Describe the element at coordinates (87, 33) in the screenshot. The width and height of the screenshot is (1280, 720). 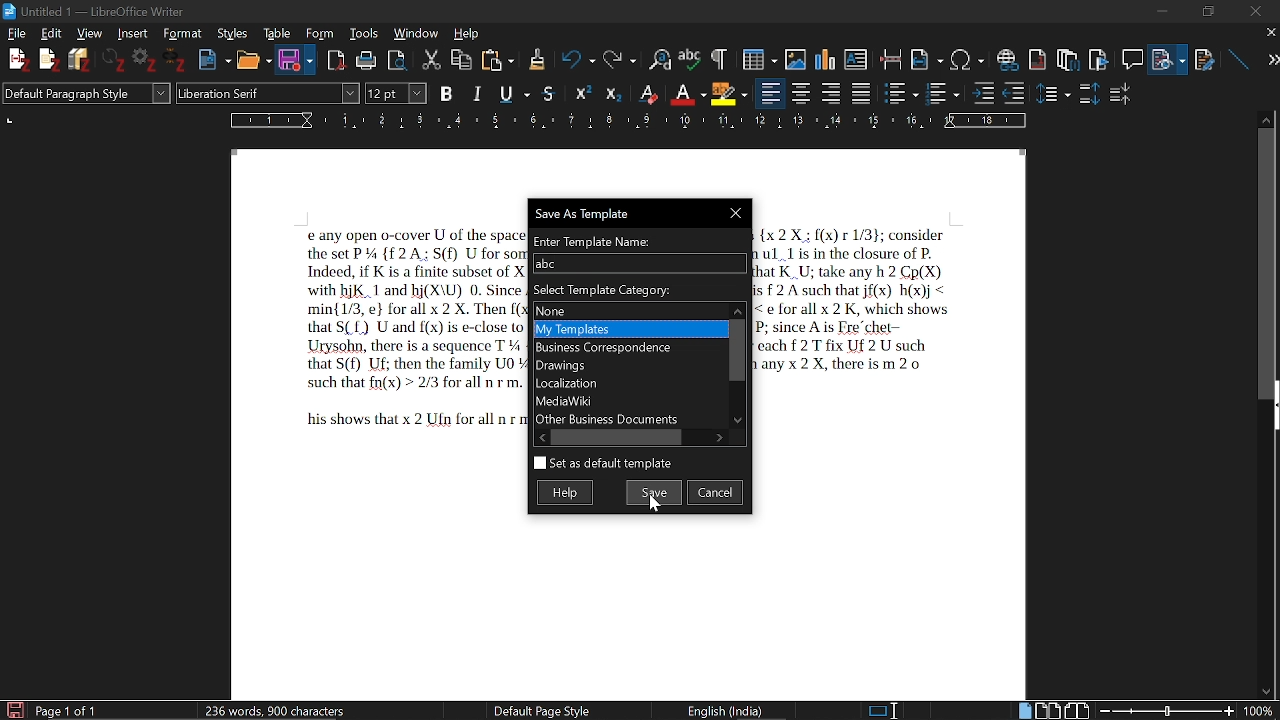
I see `View` at that location.